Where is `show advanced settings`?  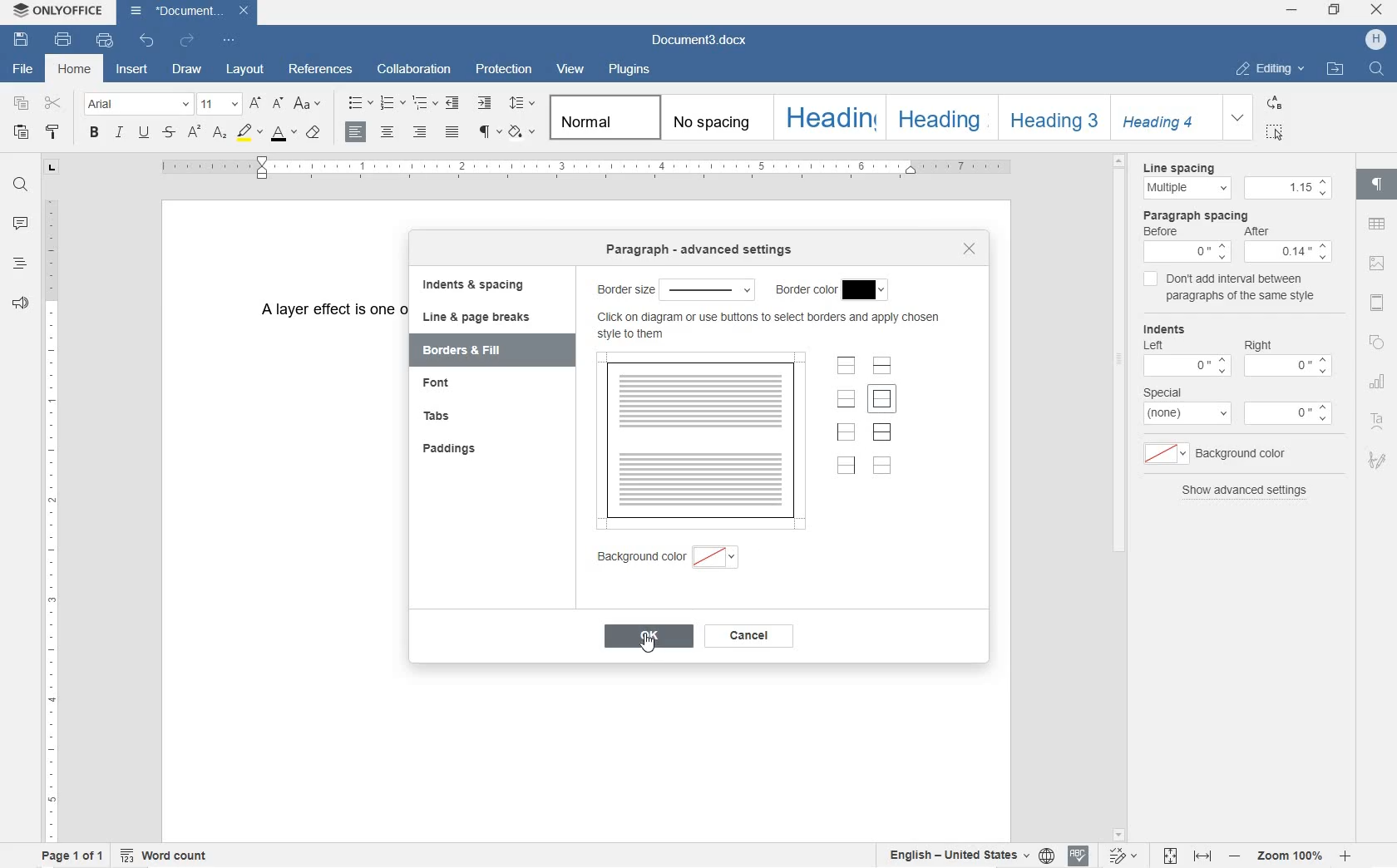 show advanced settings is located at coordinates (1246, 493).